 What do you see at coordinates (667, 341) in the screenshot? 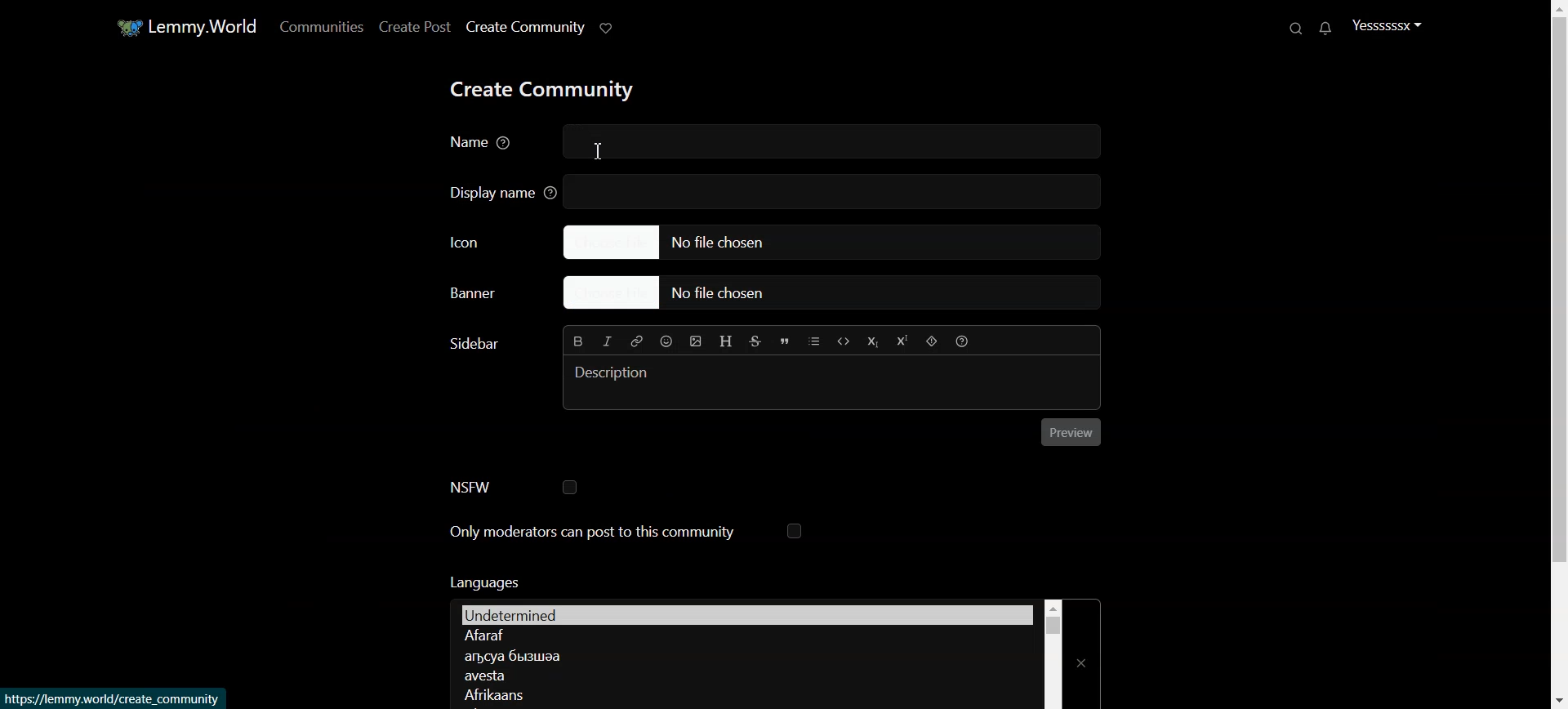
I see `Emoji` at bounding box center [667, 341].